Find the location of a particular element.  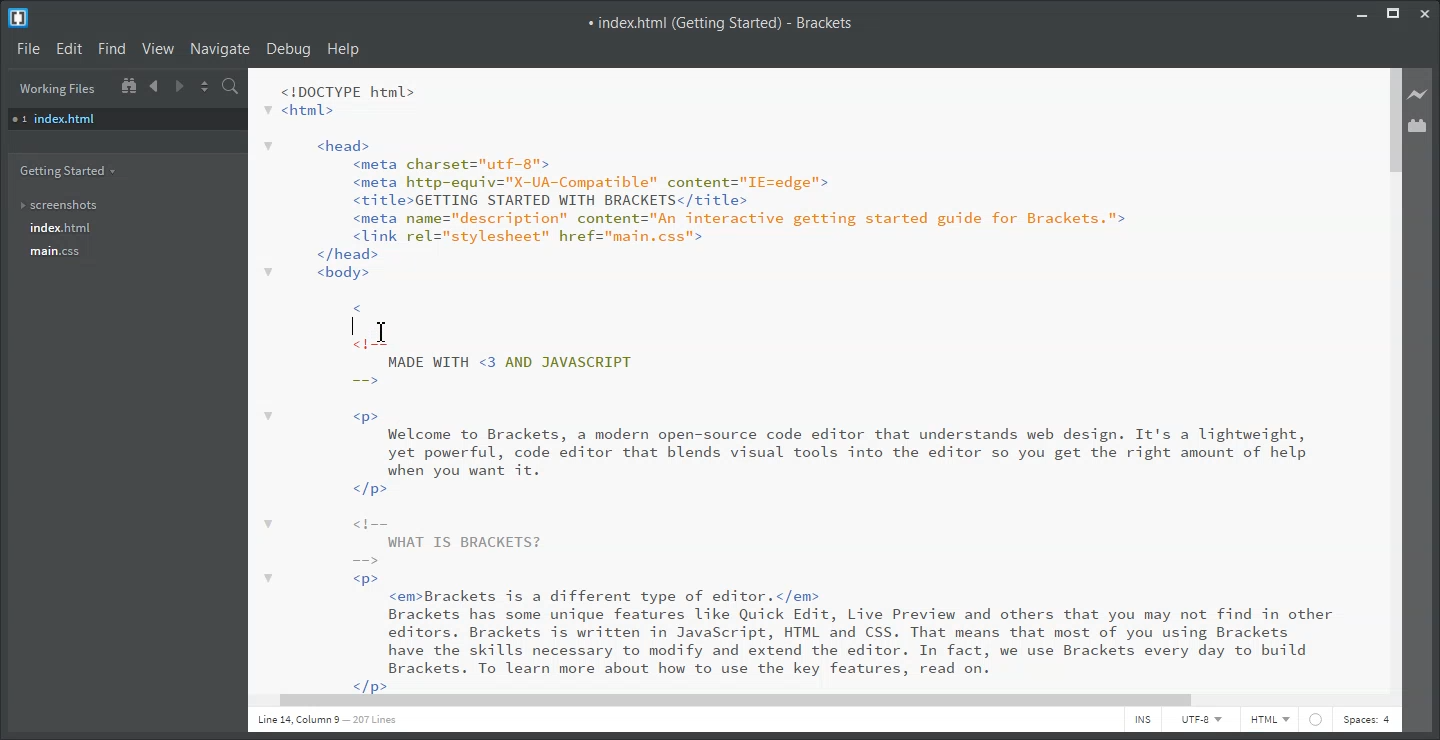

Close is located at coordinates (1426, 13).